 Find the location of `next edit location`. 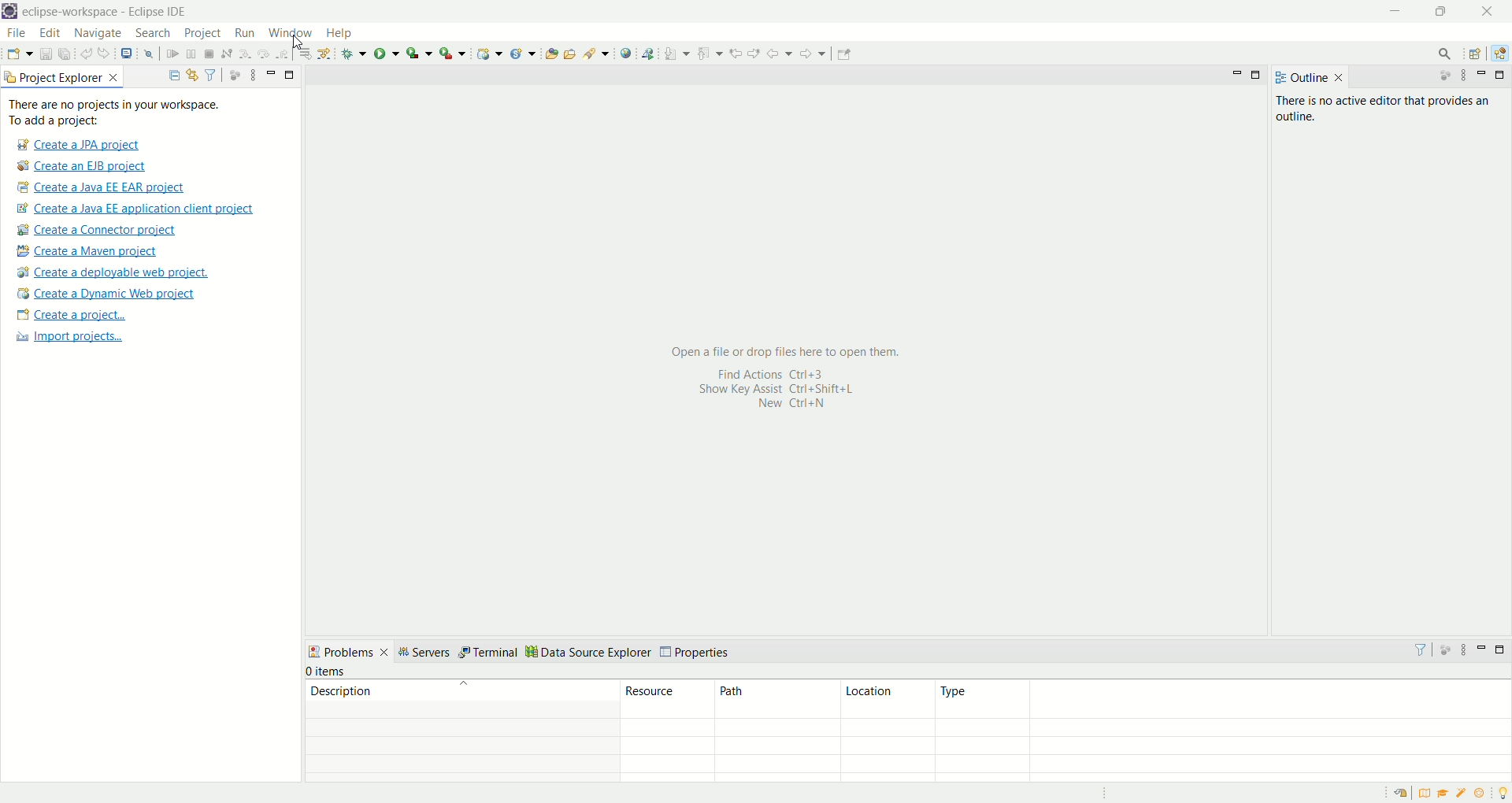

next edit location is located at coordinates (756, 52).